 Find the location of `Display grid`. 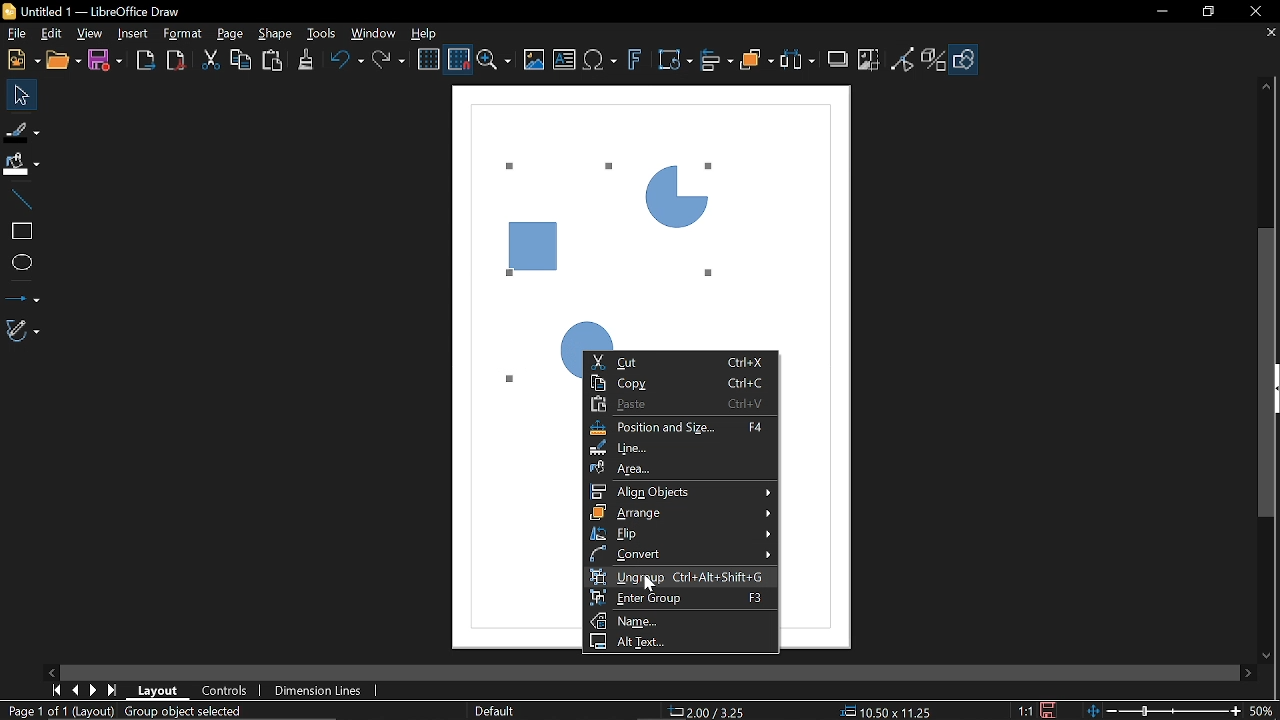

Display grid is located at coordinates (428, 60).